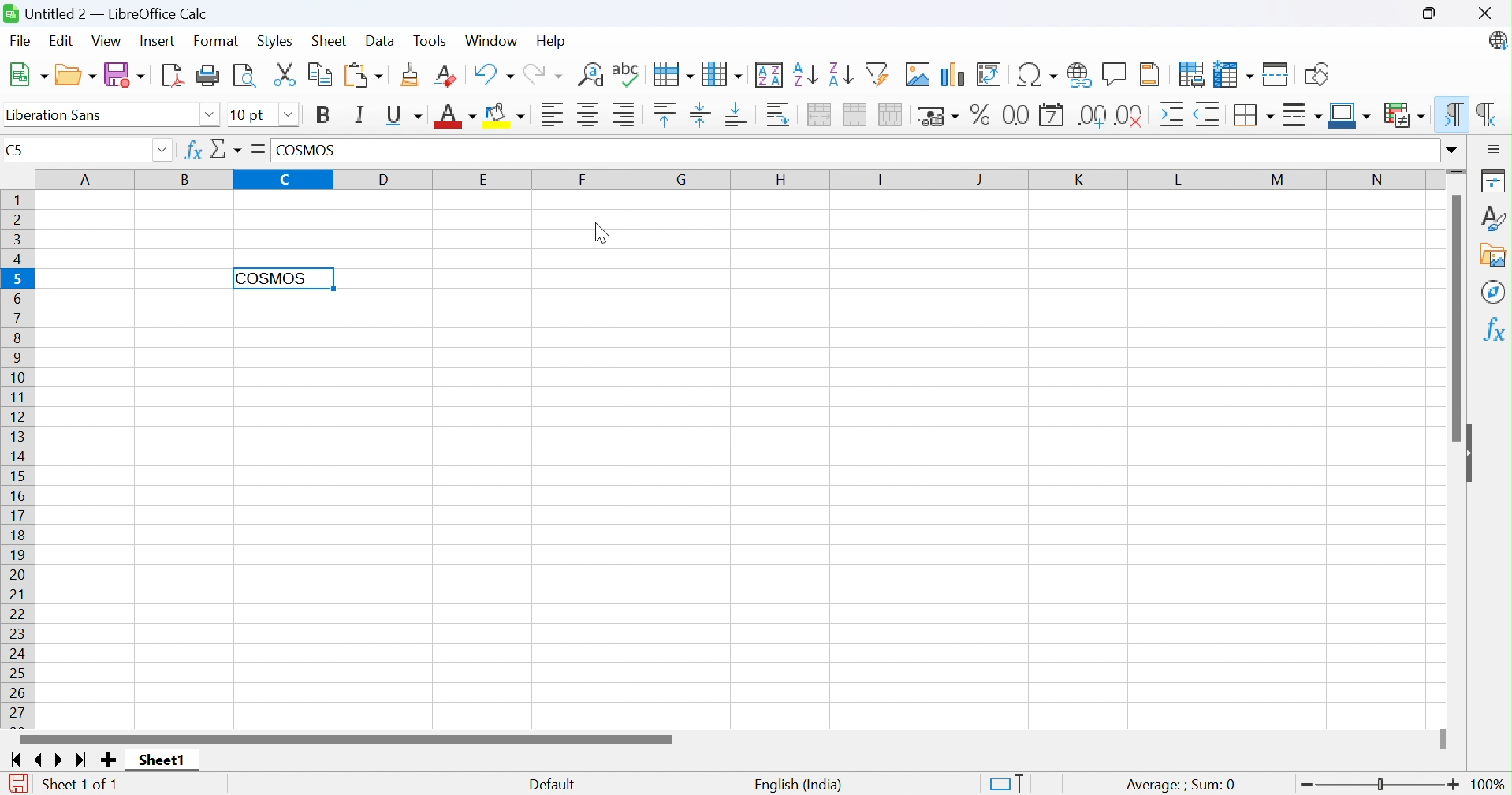 This screenshot has height=795, width=1512. Describe the element at coordinates (344, 739) in the screenshot. I see `Scroll bar` at that location.